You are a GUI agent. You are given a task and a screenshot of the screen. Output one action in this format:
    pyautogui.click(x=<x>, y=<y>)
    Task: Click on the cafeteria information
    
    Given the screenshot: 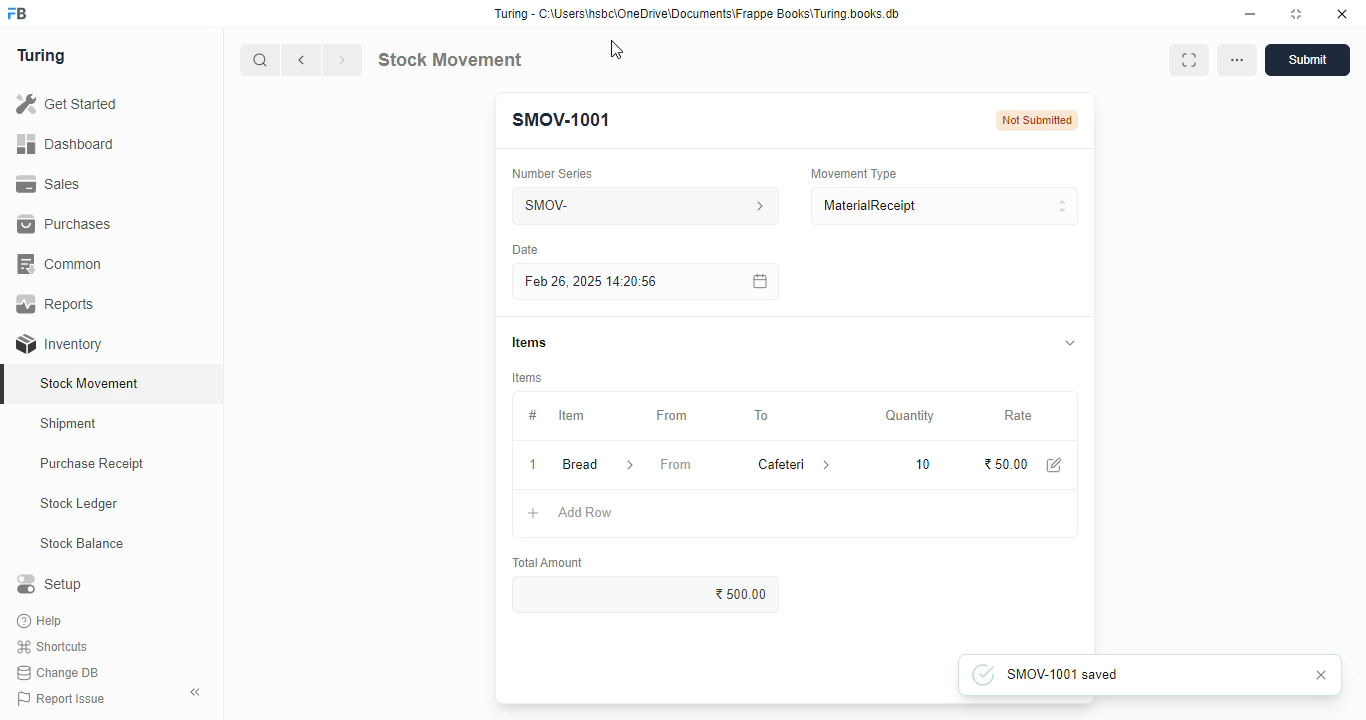 What is the action you would take?
    pyautogui.click(x=828, y=464)
    